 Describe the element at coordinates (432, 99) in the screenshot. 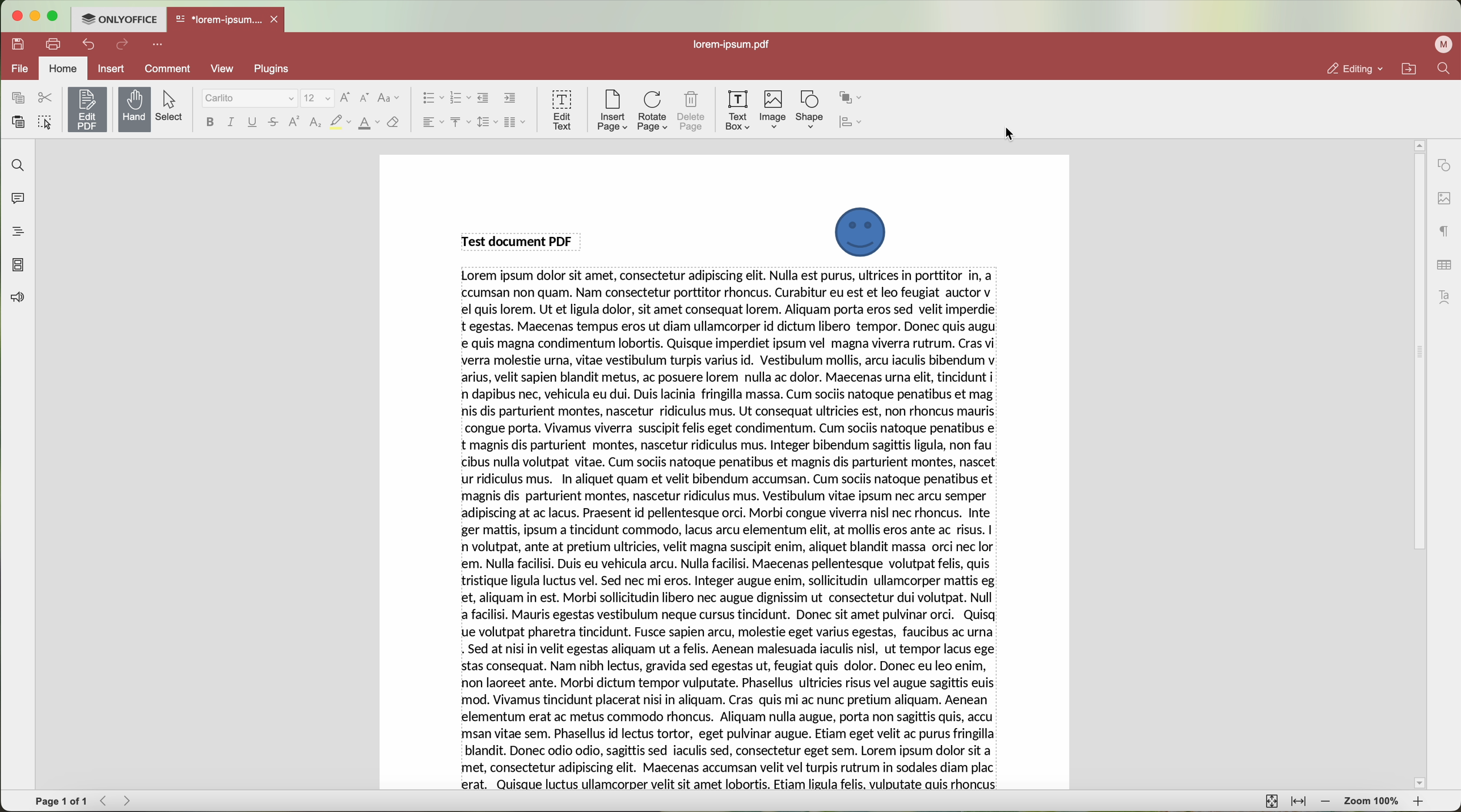

I see `bullets` at that location.